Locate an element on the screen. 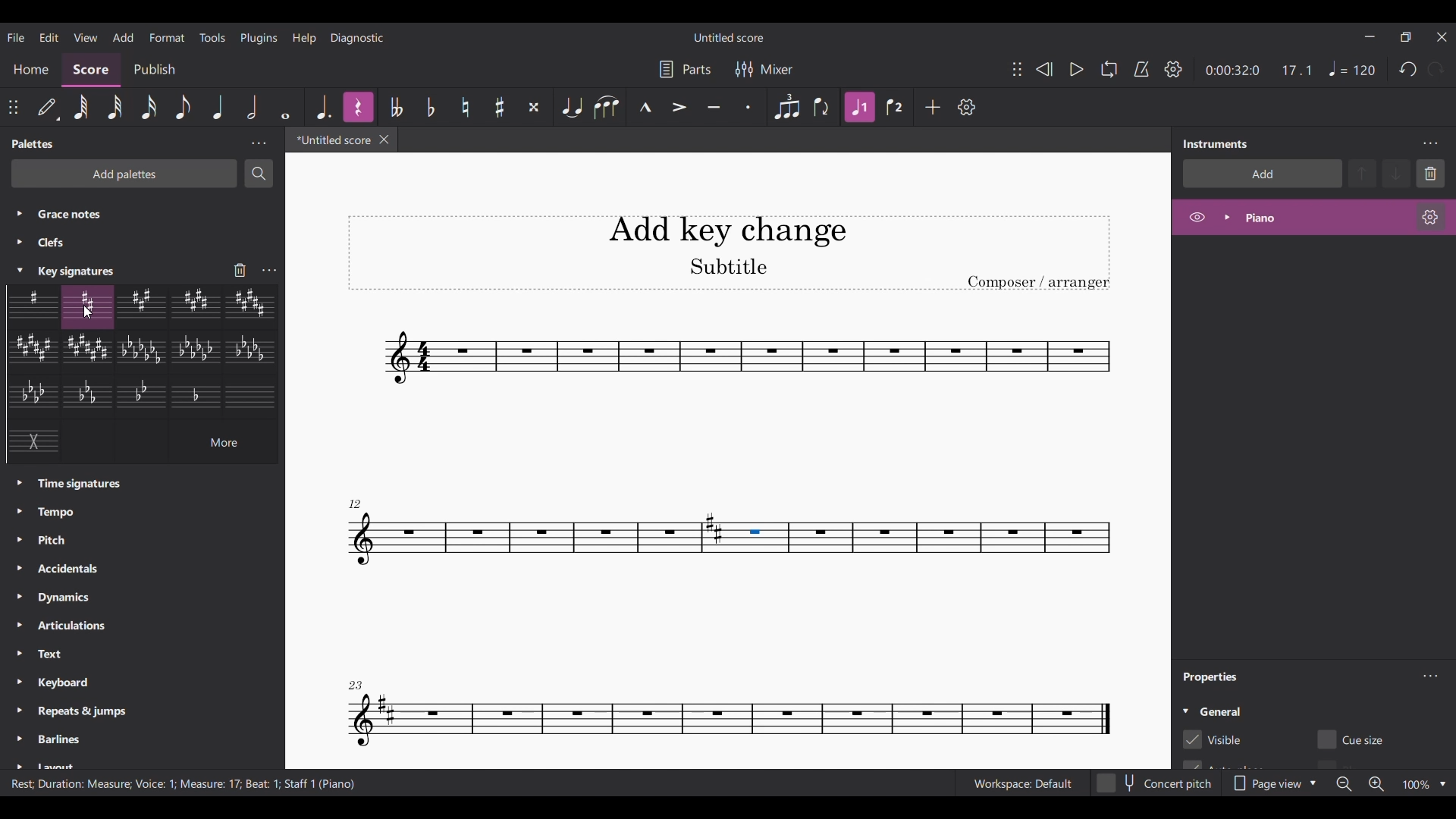  Toggle flat is located at coordinates (431, 107).